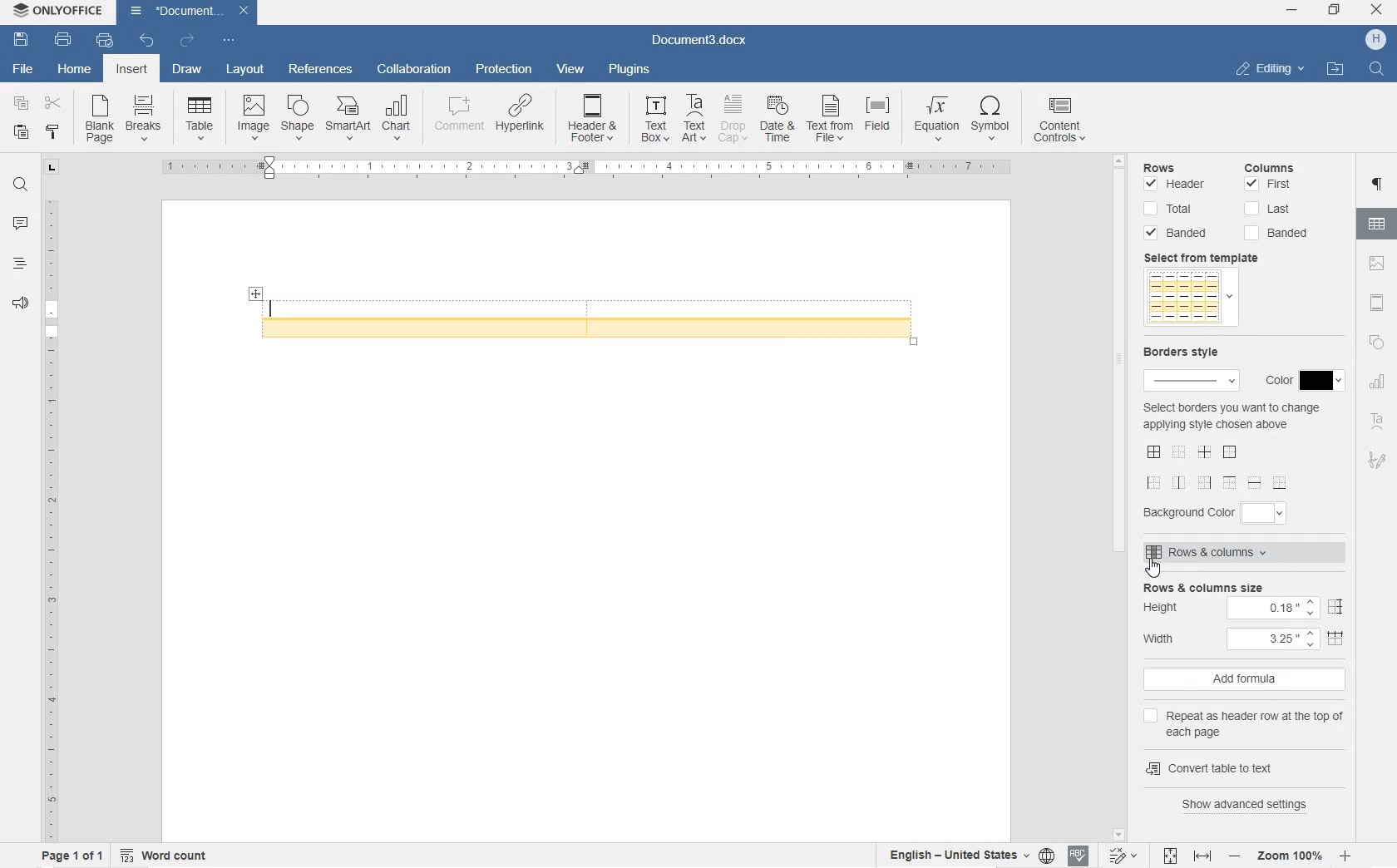  I want to click on RULER, so click(49, 516).